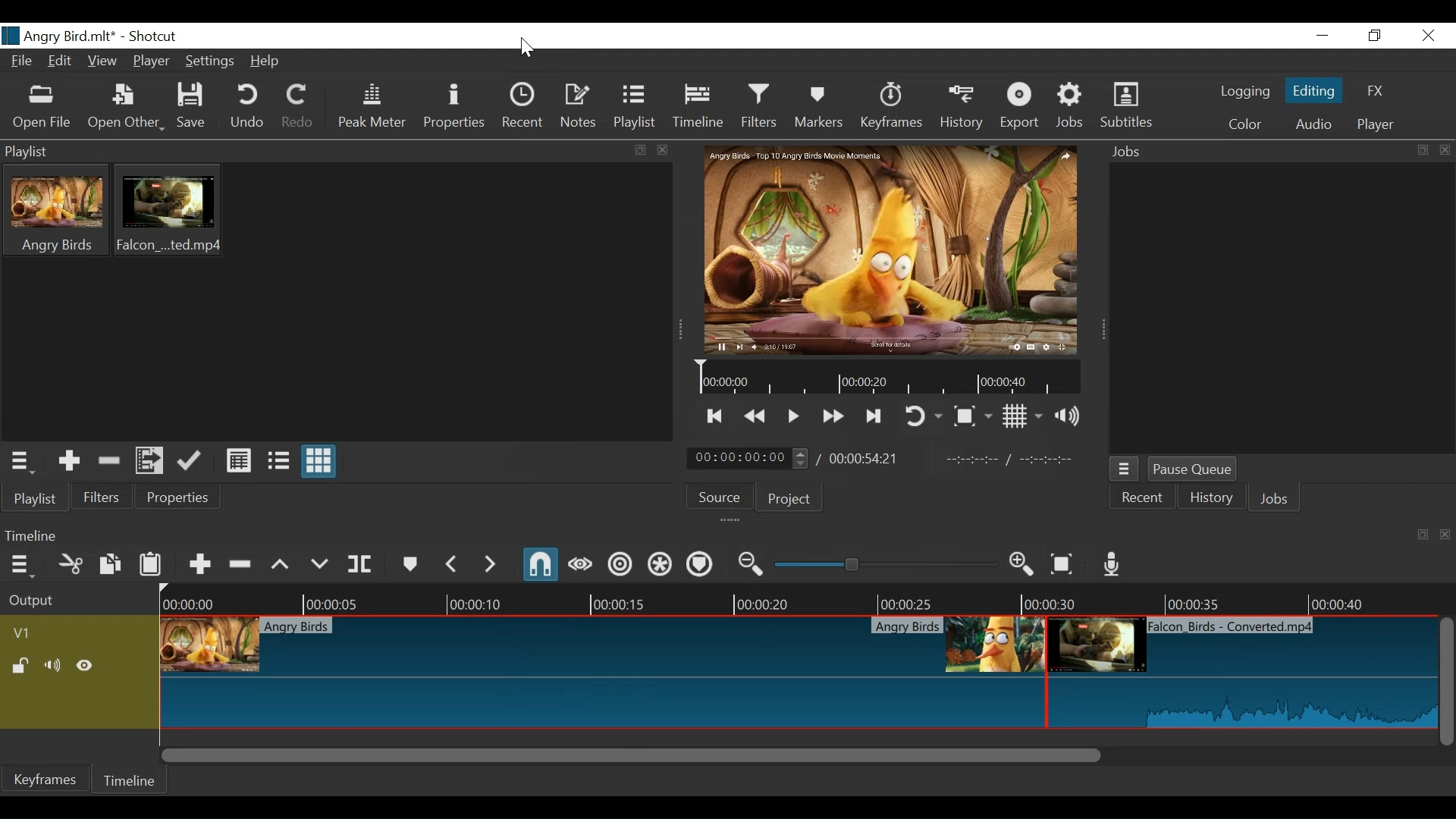  I want to click on Mute, so click(54, 665).